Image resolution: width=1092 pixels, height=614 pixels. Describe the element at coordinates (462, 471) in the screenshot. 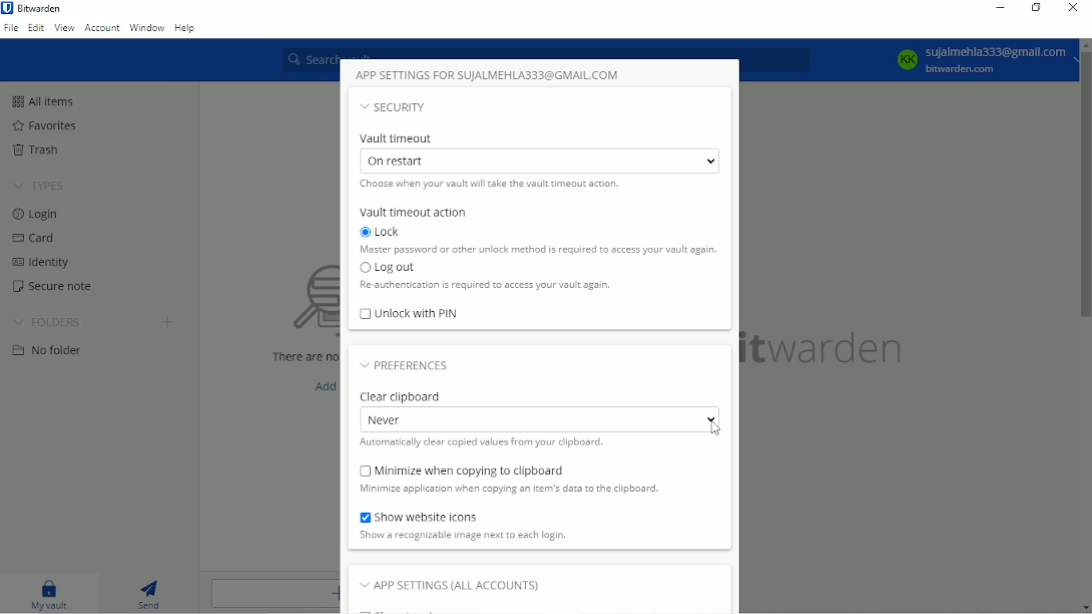

I see `Minimize when copying to clipboard` at that location.